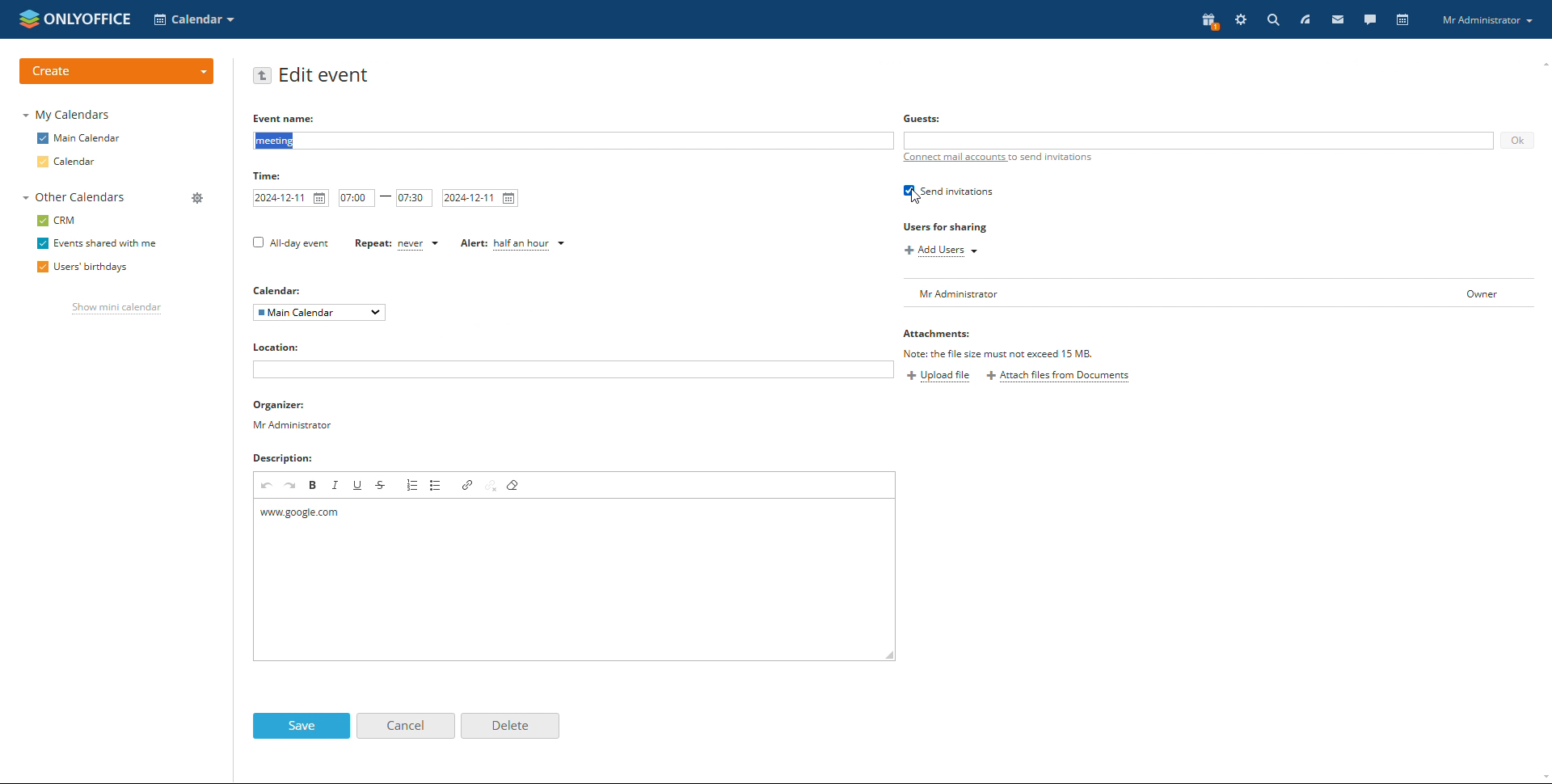 This screenshot has width=1552, height=784. I want to click on attach files from documents, so click(1057, 376).